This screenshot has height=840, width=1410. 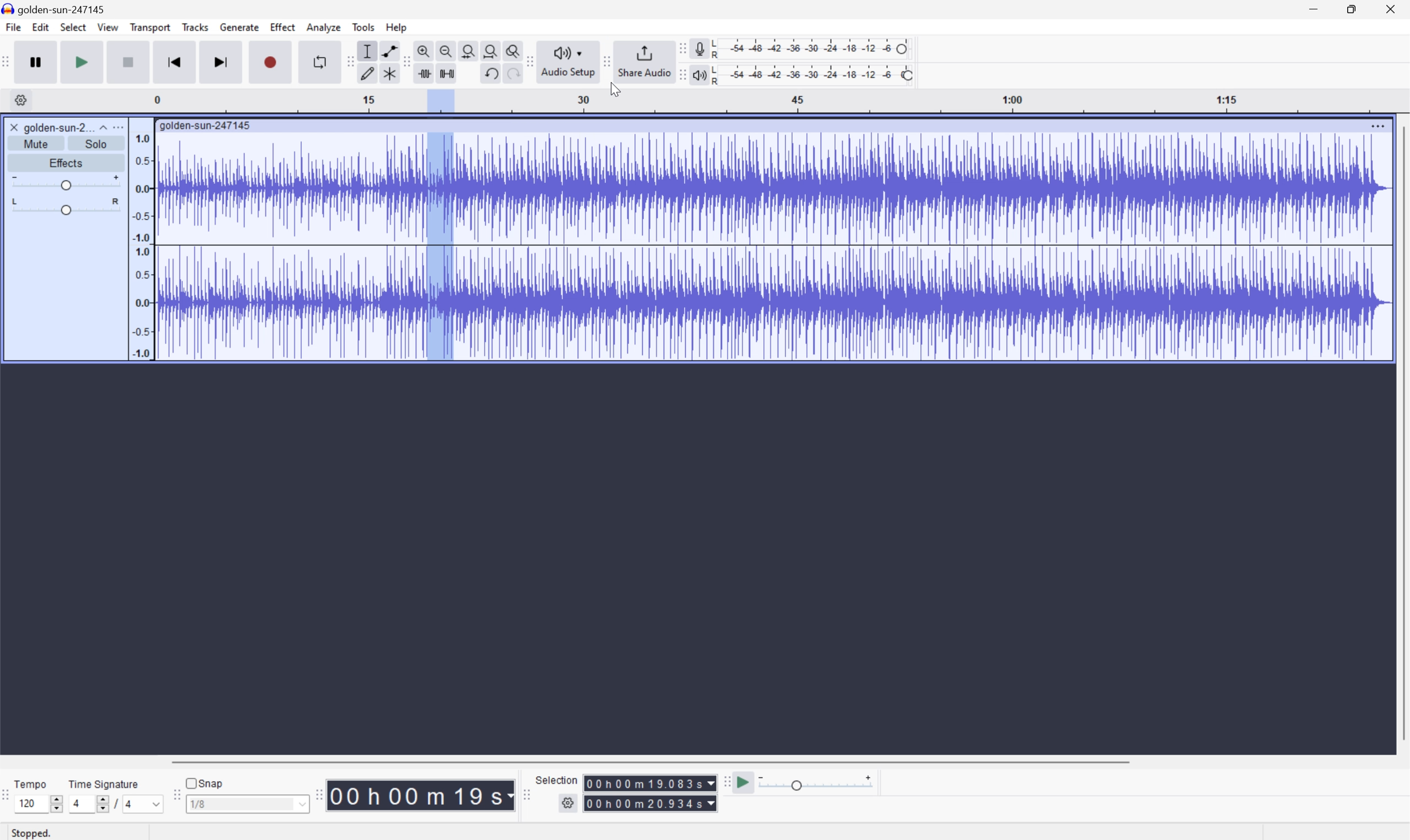 What do you see at coordinates (55, 128) in the screenshot?
I see `` at bounding box center [55, 128].